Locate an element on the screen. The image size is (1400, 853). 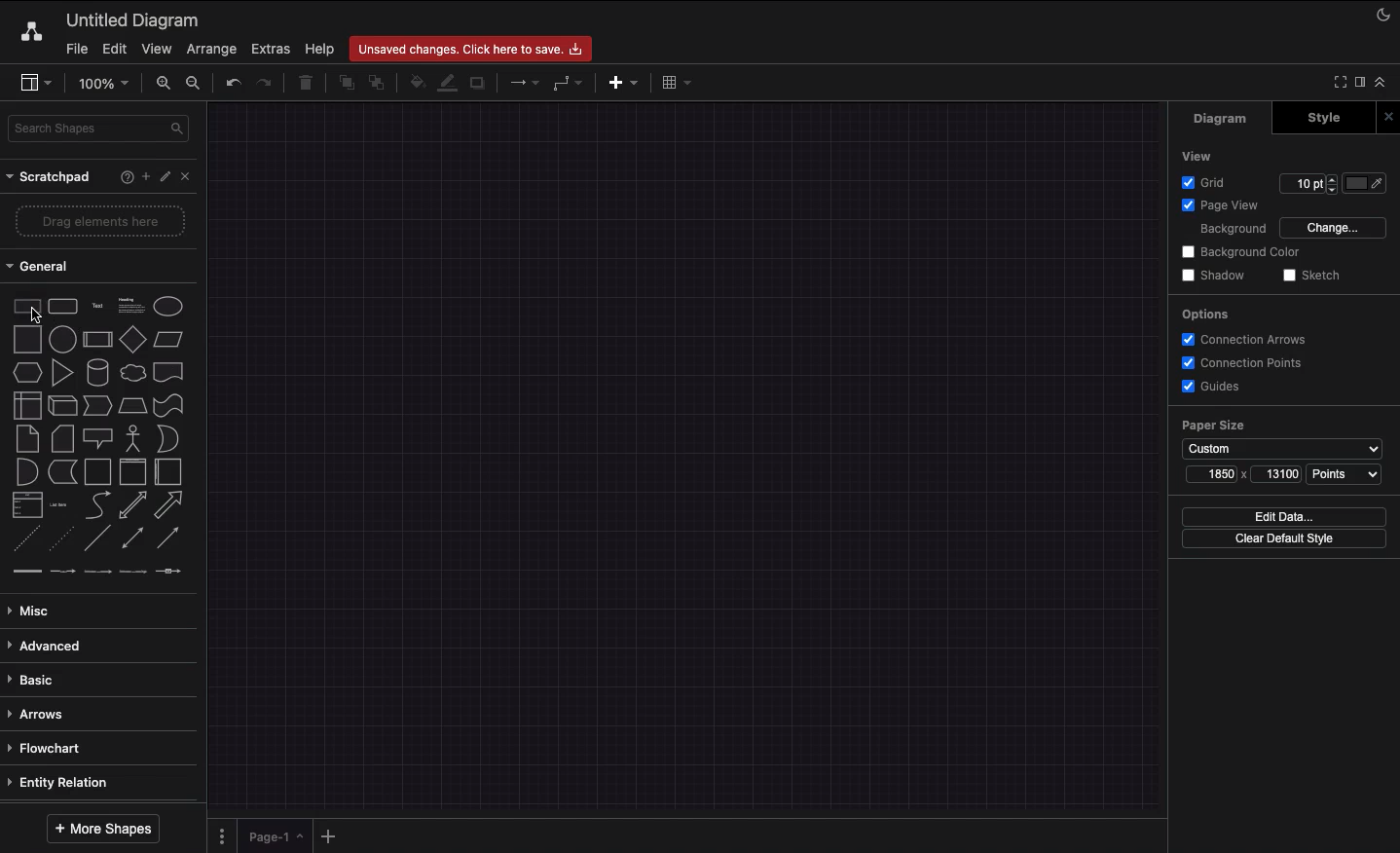
Size is located at coordinates (1307, 185).